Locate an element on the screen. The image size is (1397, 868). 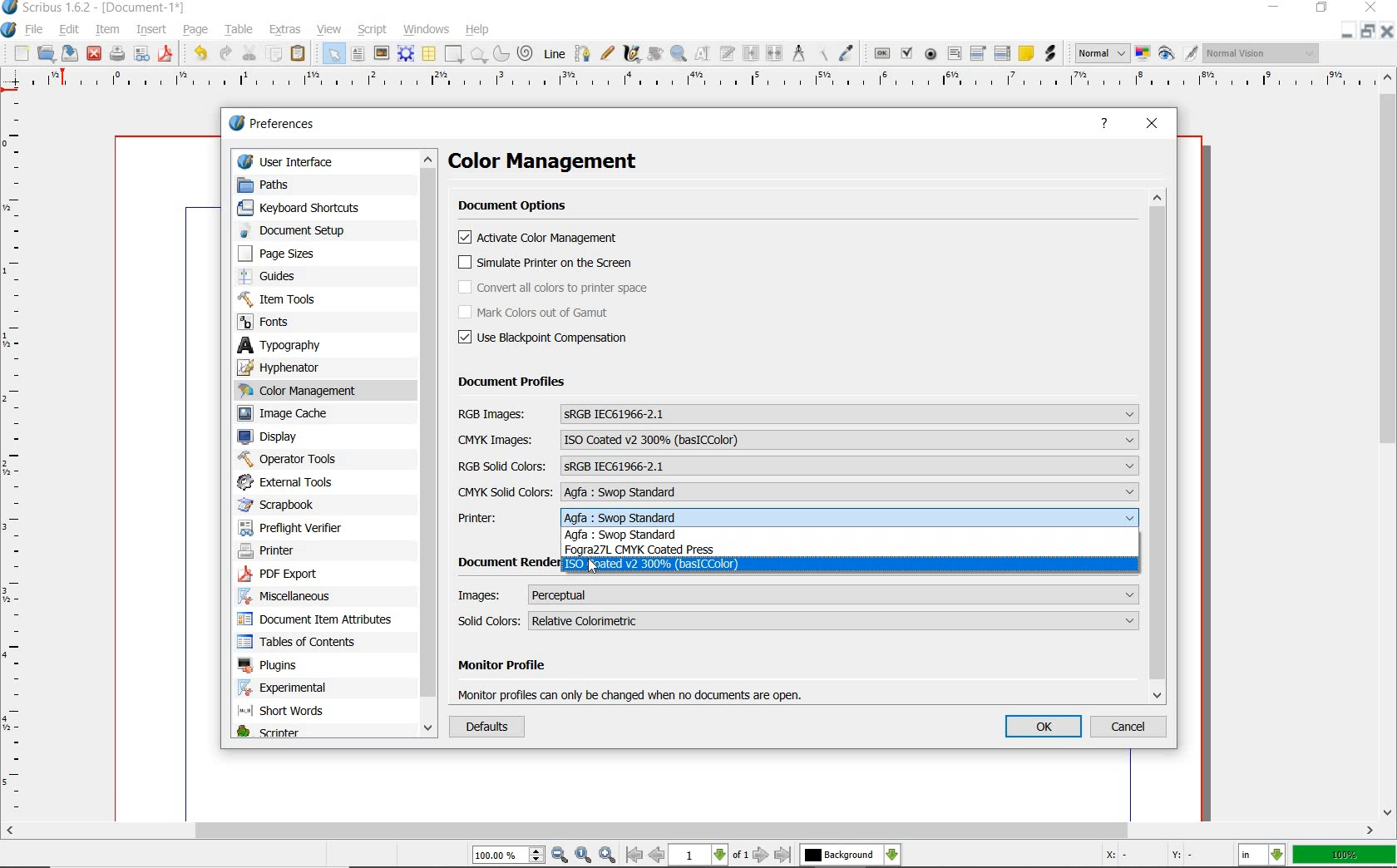
experimental is located at coordinates (305, 687).